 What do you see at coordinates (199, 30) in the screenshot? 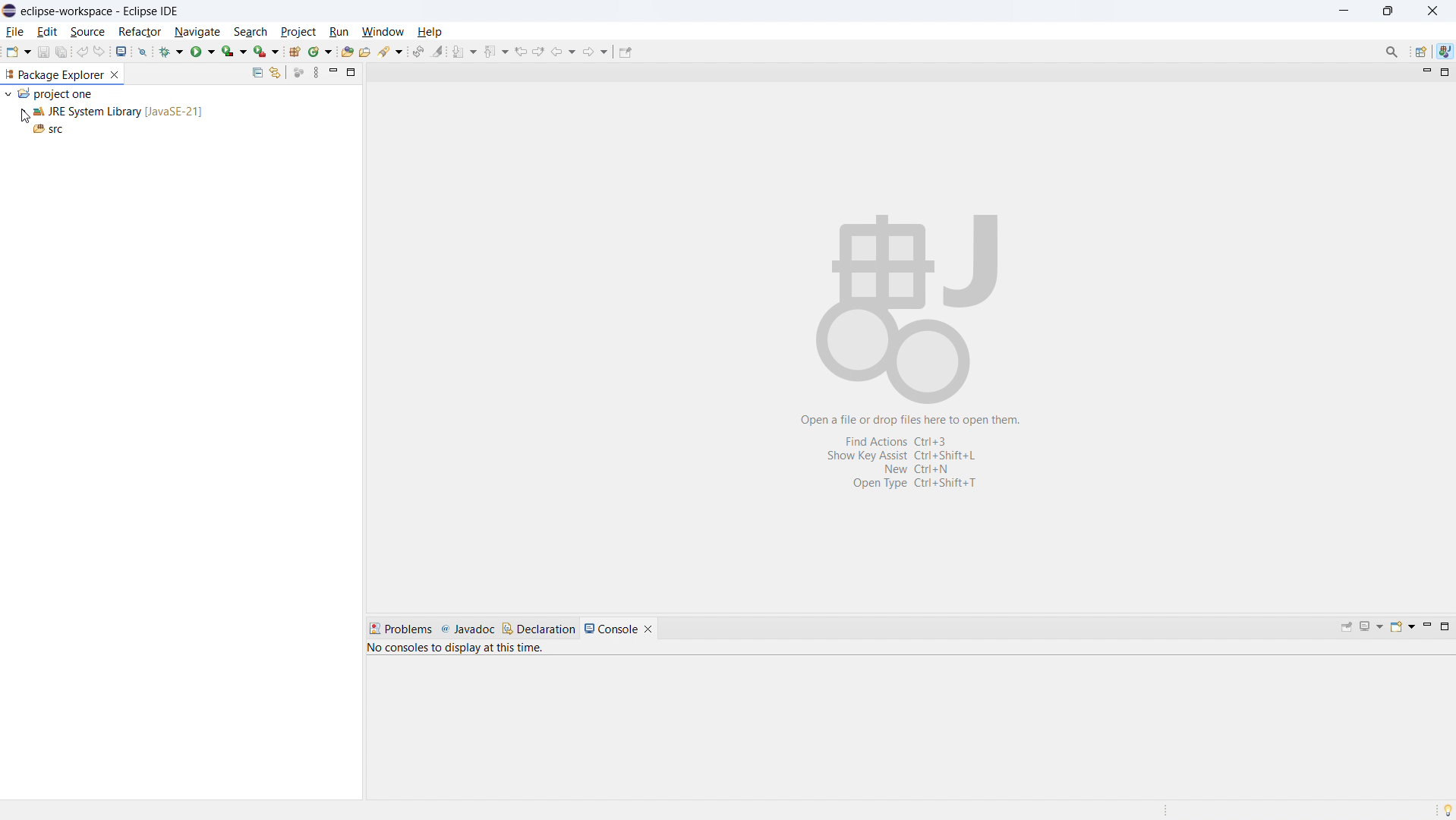
I see `navigate` at bounding box center [199, 30].